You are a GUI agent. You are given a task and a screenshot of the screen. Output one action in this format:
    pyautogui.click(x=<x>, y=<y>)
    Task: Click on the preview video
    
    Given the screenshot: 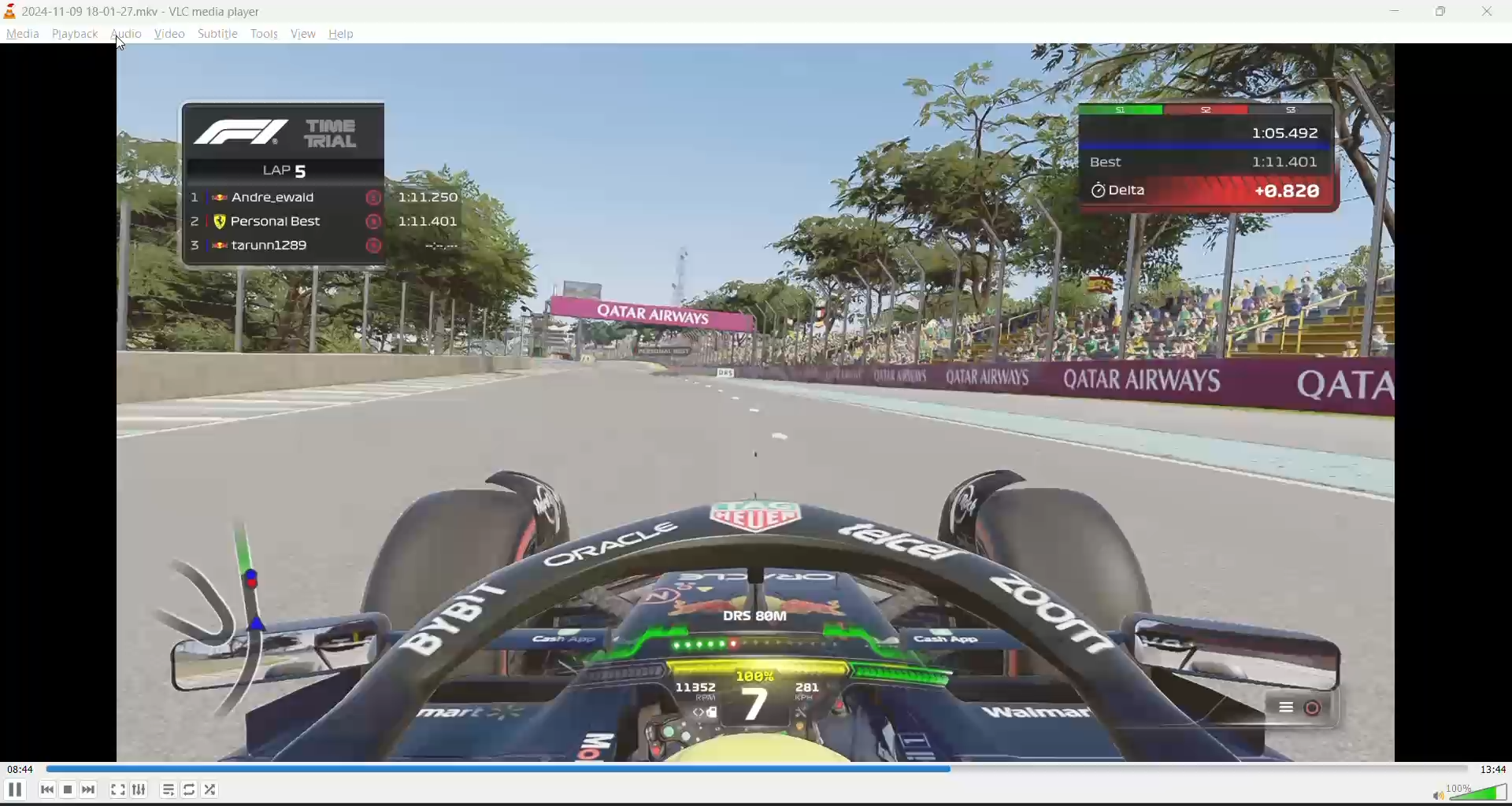 What is the action you would take?
    pyautogui.click(x=755, y=403)
    